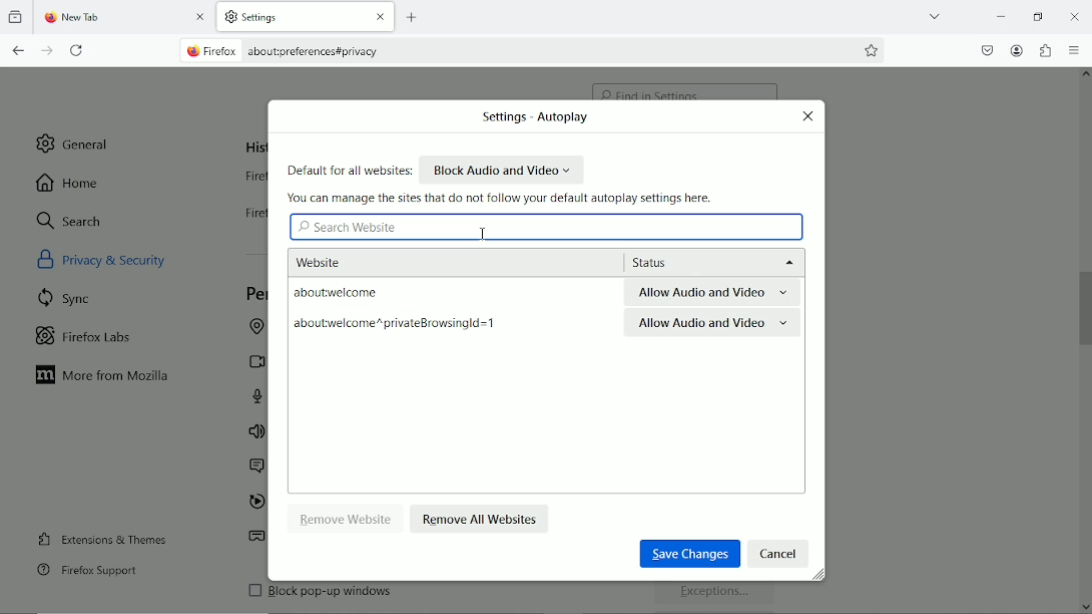 The image size is (1092, 614). What do you see at coordinates (70, 220) in the screenshot?
I see `search` at bounding box center [70, 220].